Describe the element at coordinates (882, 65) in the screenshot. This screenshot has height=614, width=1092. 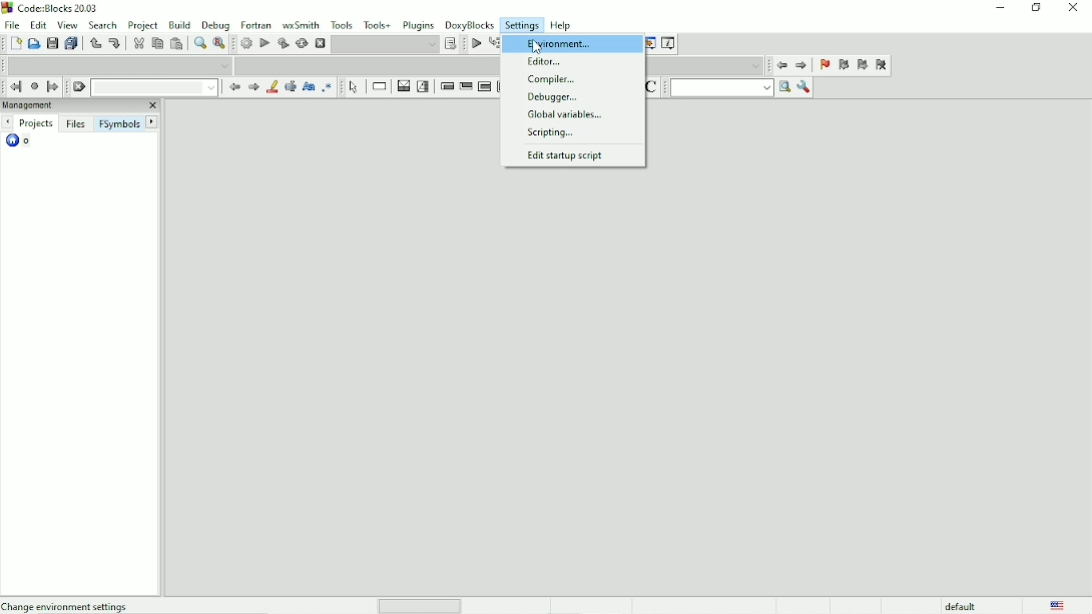
I see `Clear bookmarks` at that location.